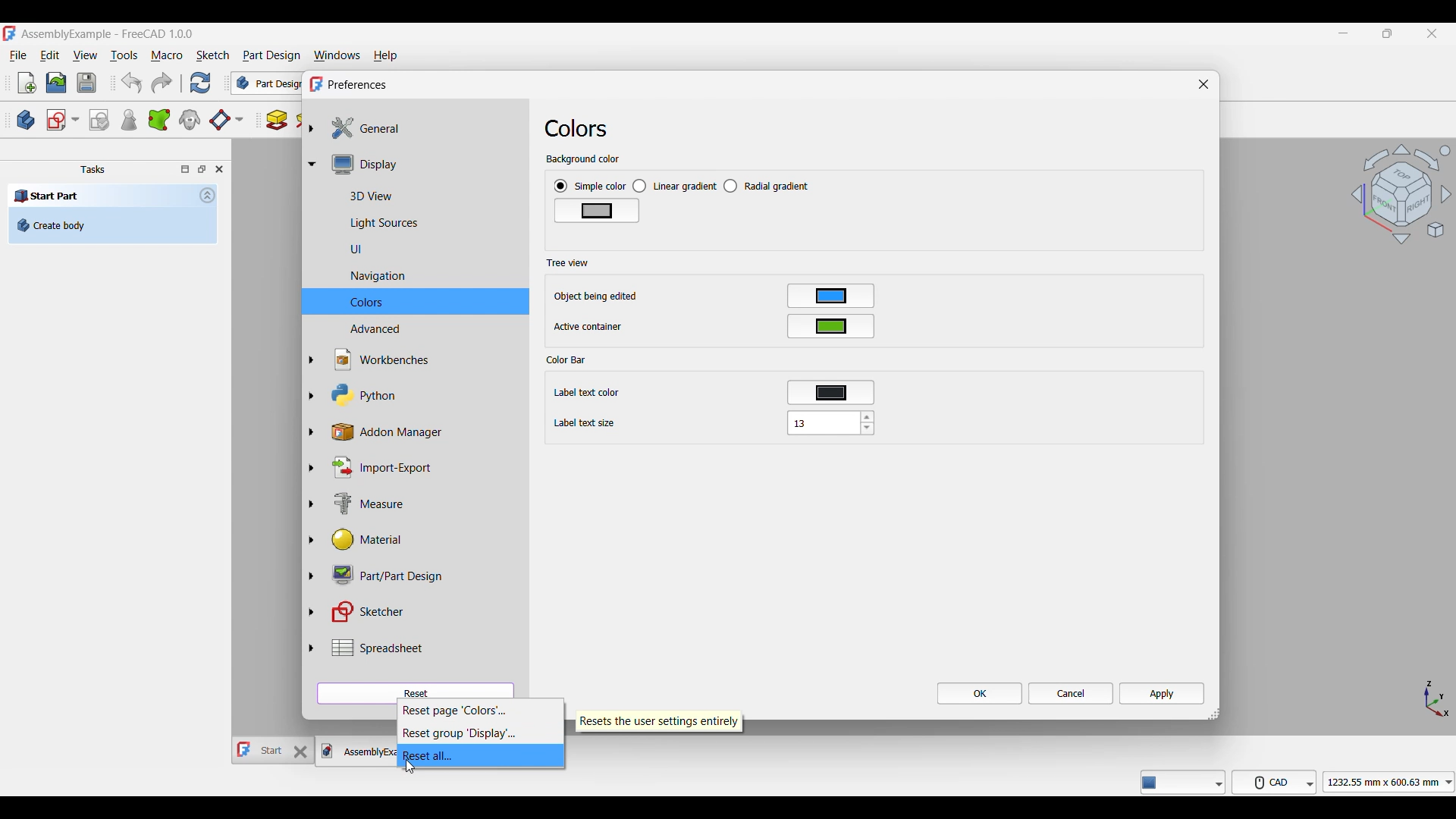 This screenshot has height=819, width=1456. Describe the element at coordinates (359, 276) in the screenshot. I see `Navigation` at that location.